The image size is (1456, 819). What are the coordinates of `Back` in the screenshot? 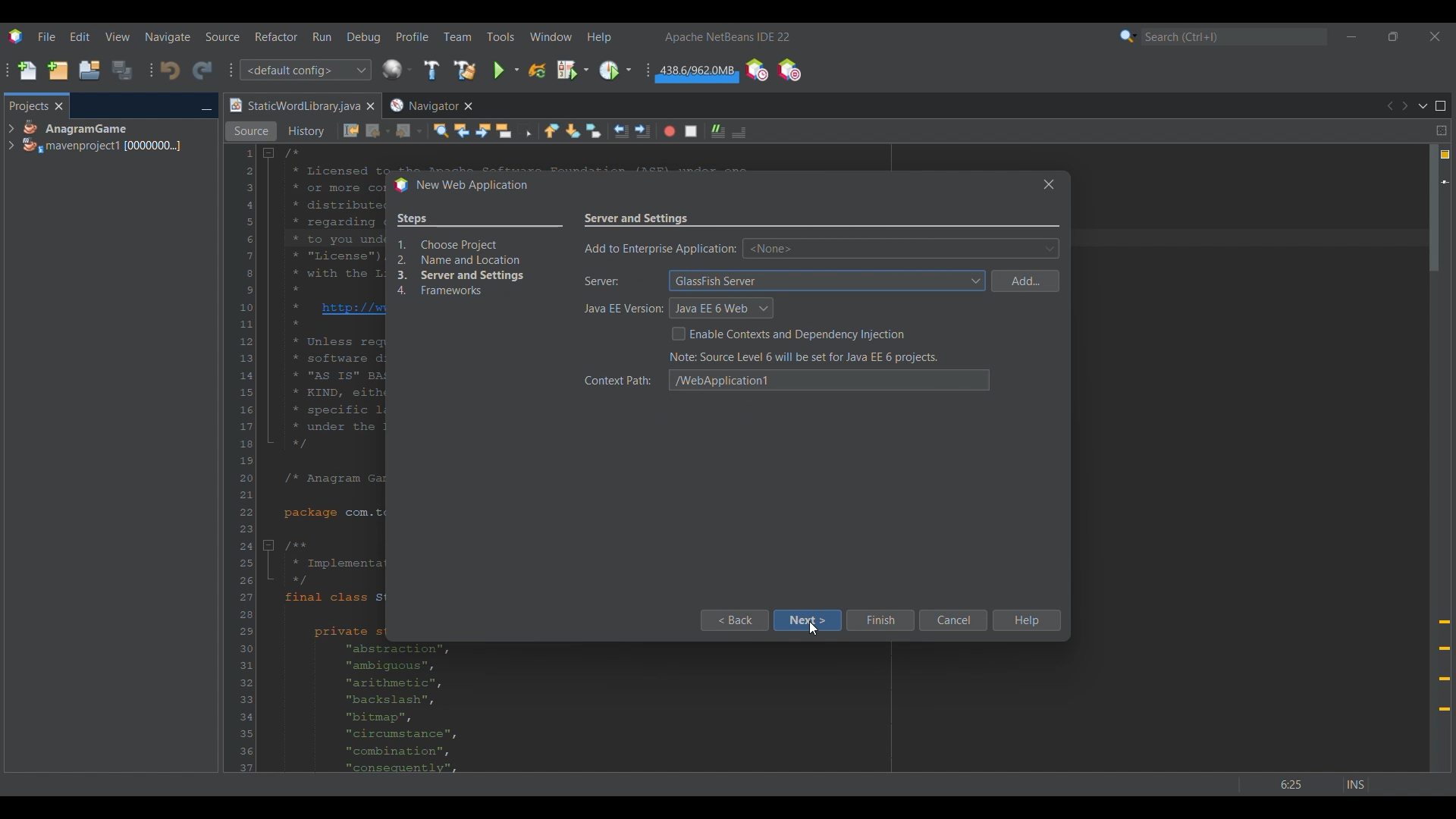 It's located at (378, 131).